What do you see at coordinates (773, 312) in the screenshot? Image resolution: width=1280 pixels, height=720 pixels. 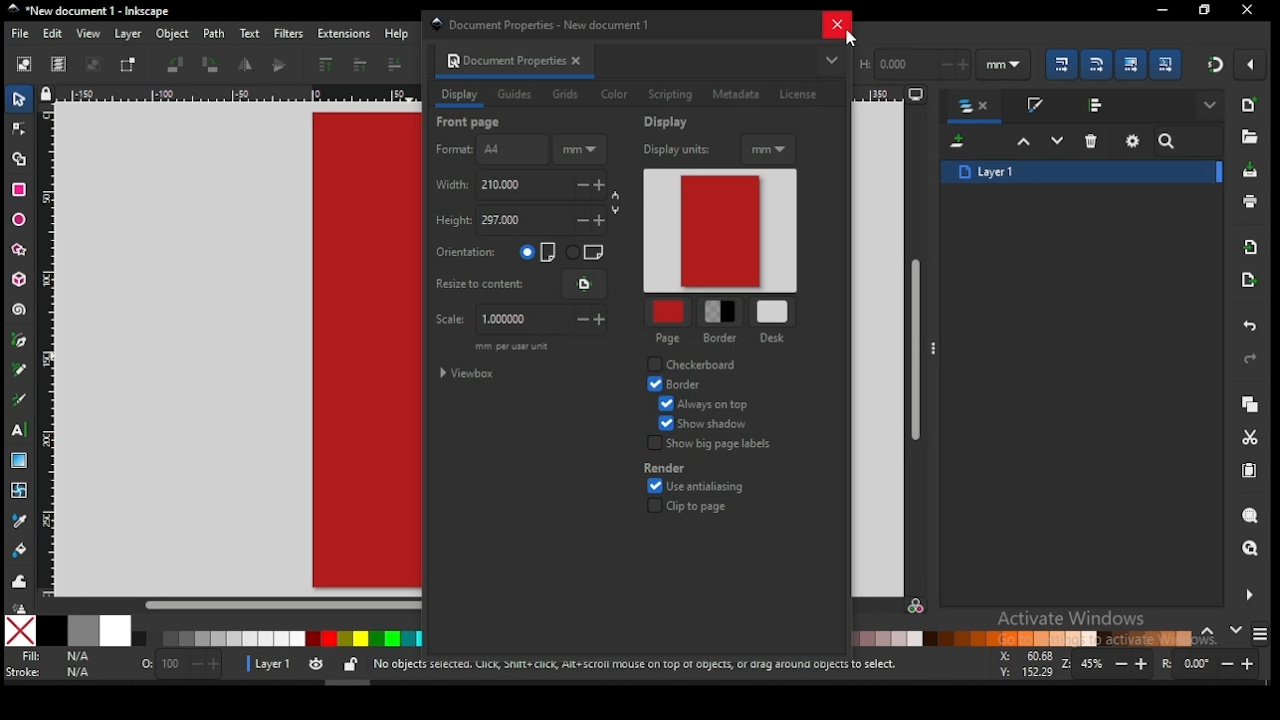 I see `desk` at bounding box center [773, 312].